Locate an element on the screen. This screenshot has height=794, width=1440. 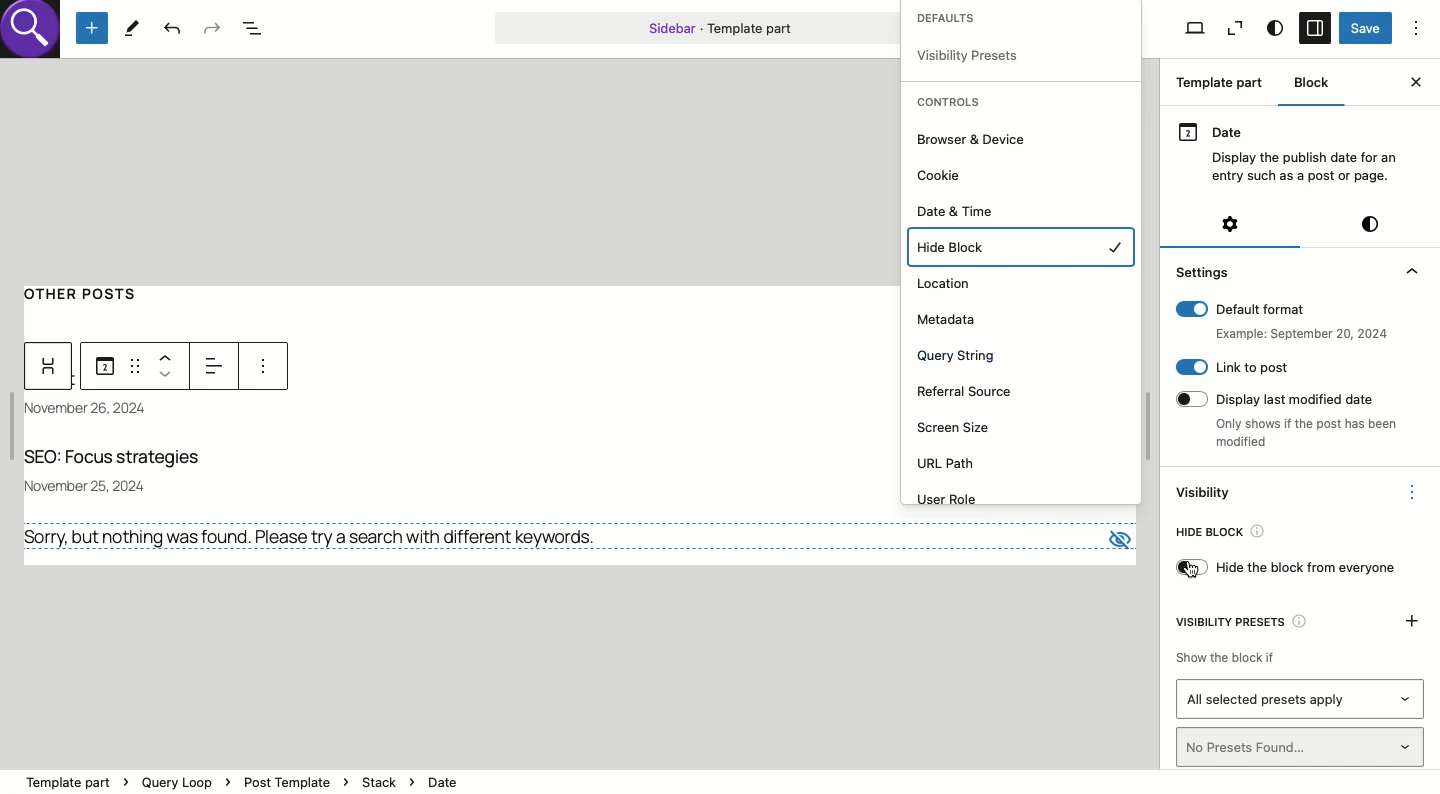
Hide bloc is located at coordinates (1219, 534).